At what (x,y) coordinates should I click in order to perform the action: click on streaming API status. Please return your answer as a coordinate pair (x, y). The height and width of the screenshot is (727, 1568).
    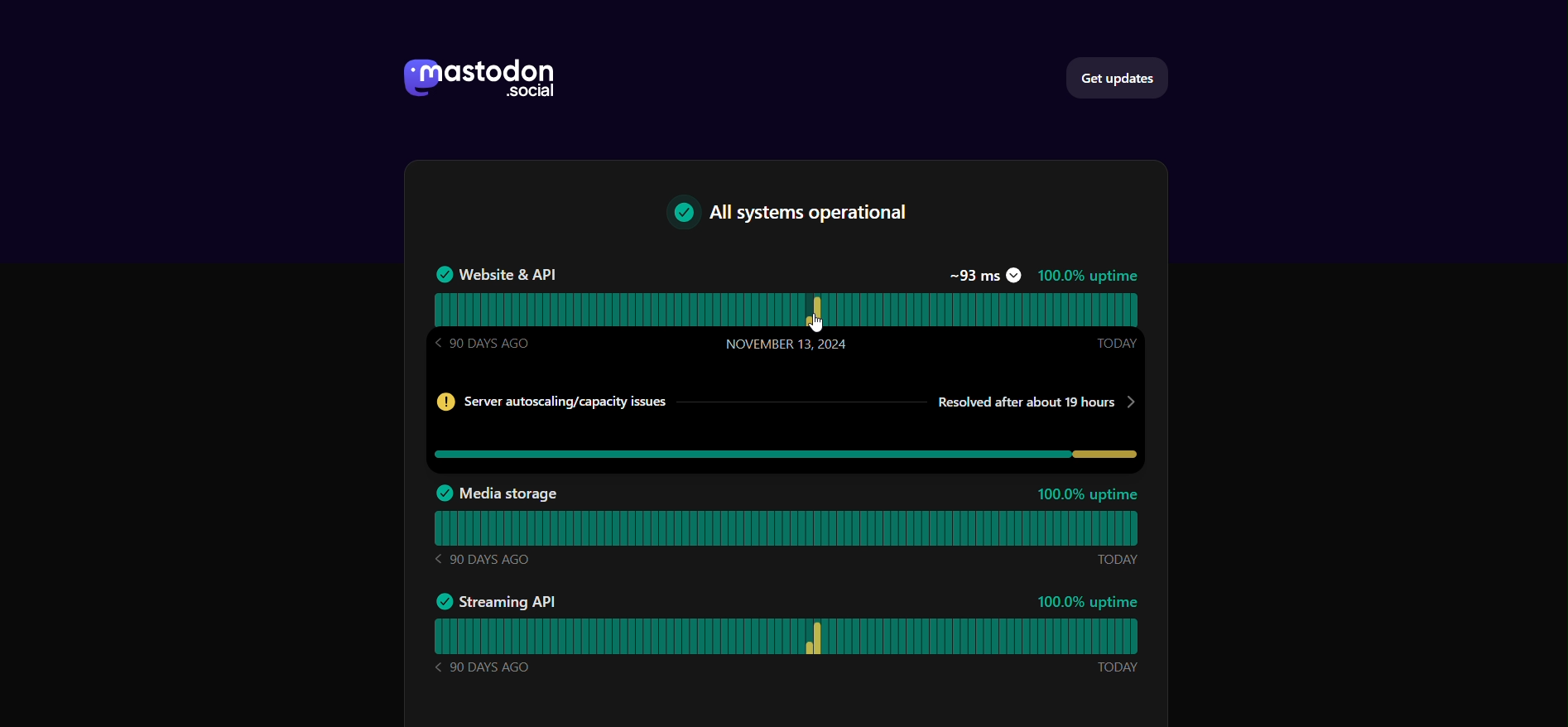
    Looking at the image, I should click on (796, 636).